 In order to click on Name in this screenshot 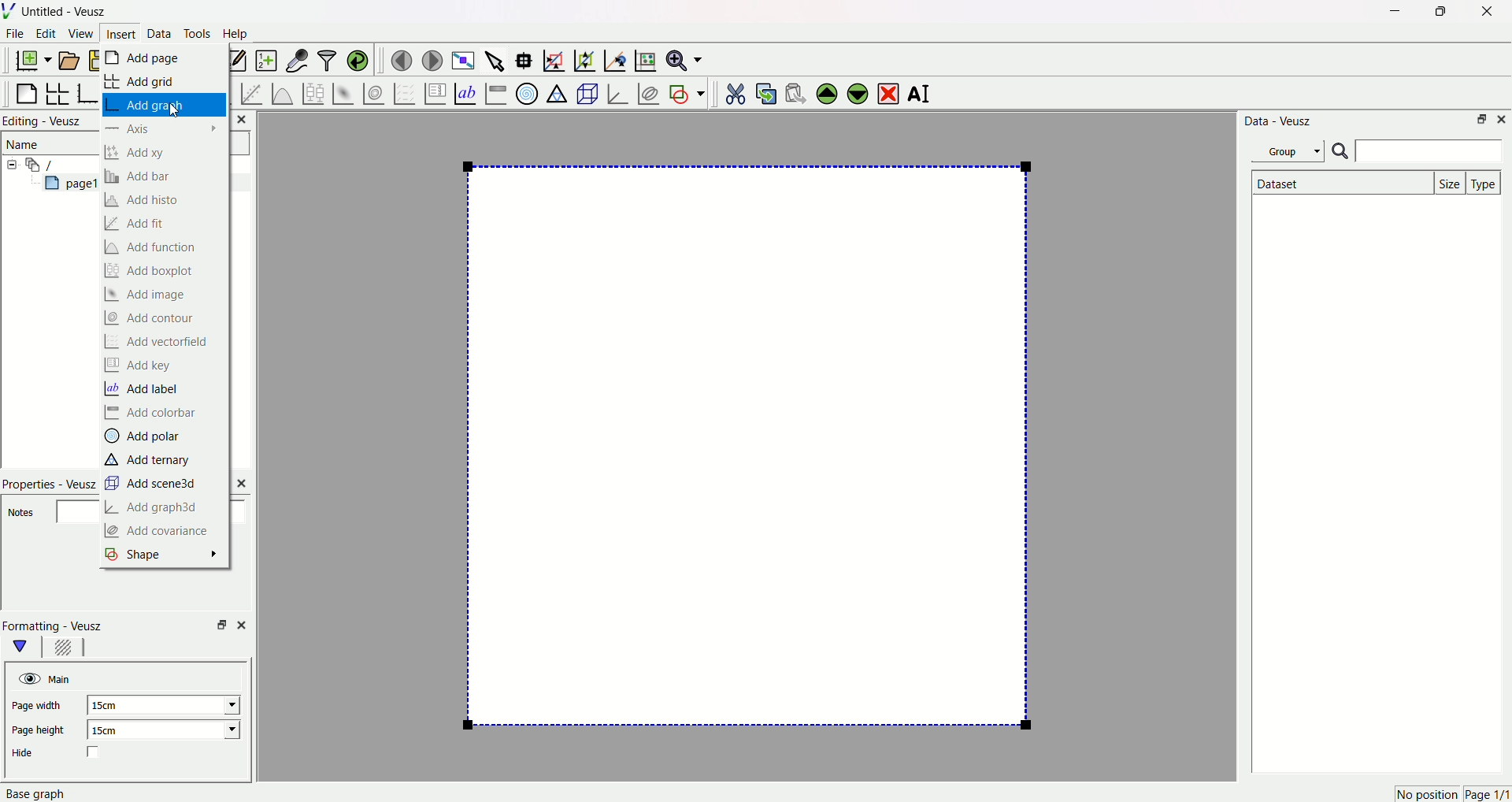, I will do `click(26, 144)`.